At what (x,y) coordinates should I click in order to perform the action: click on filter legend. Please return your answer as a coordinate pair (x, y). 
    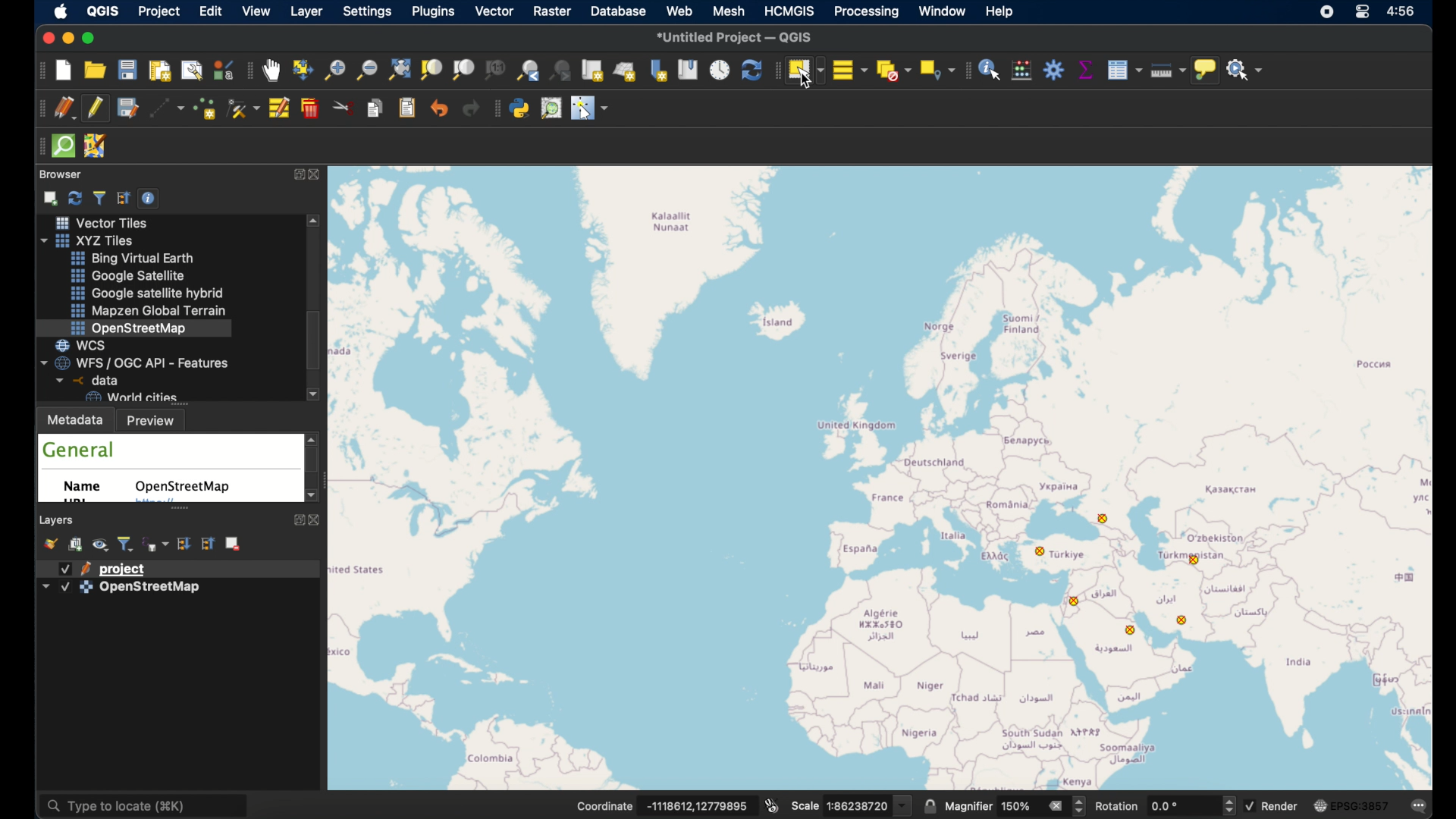
    Looking at the image, I should click on (127, 544).